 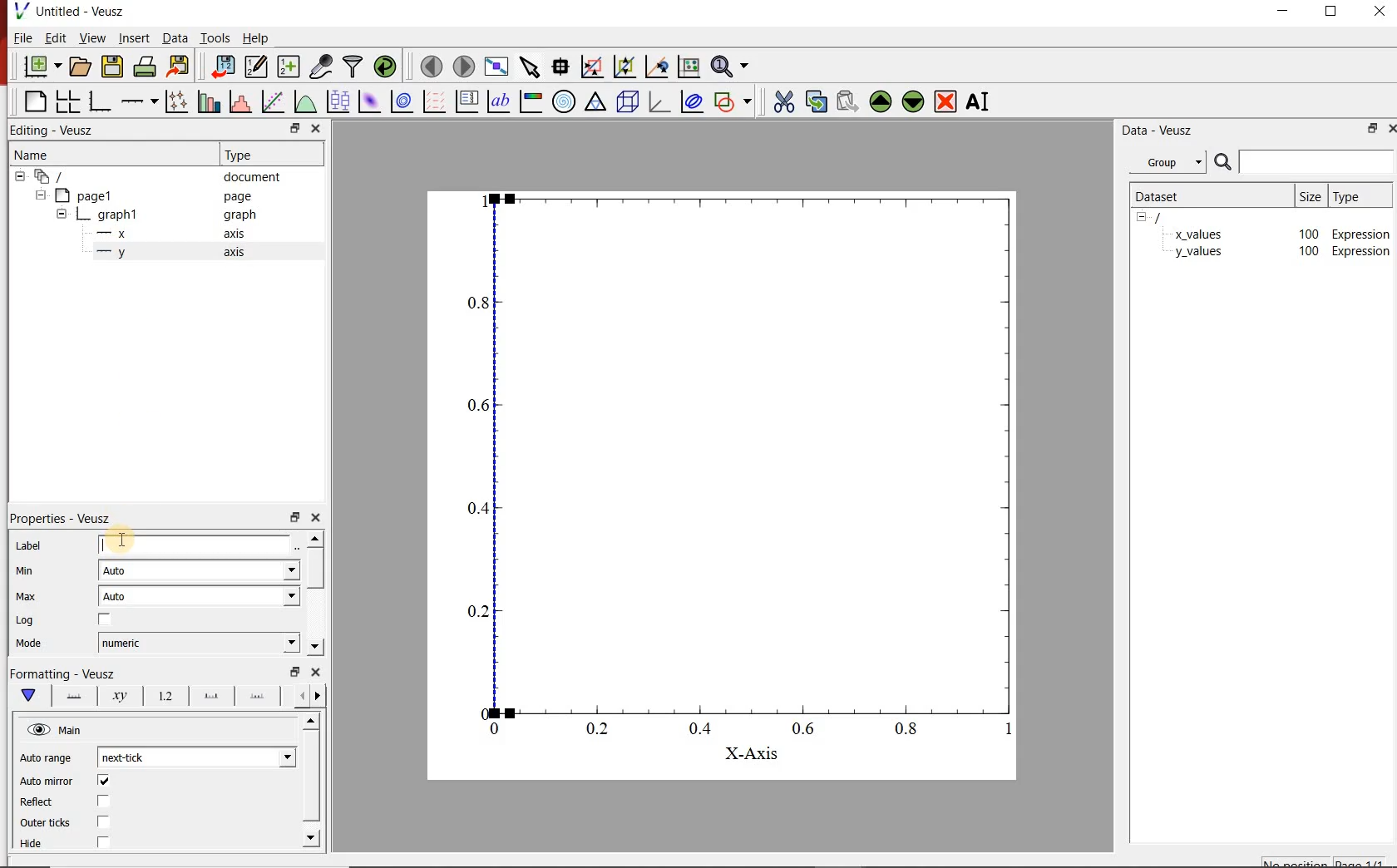 I want to click on edit and center new datasets, so click(x=258, y=67).